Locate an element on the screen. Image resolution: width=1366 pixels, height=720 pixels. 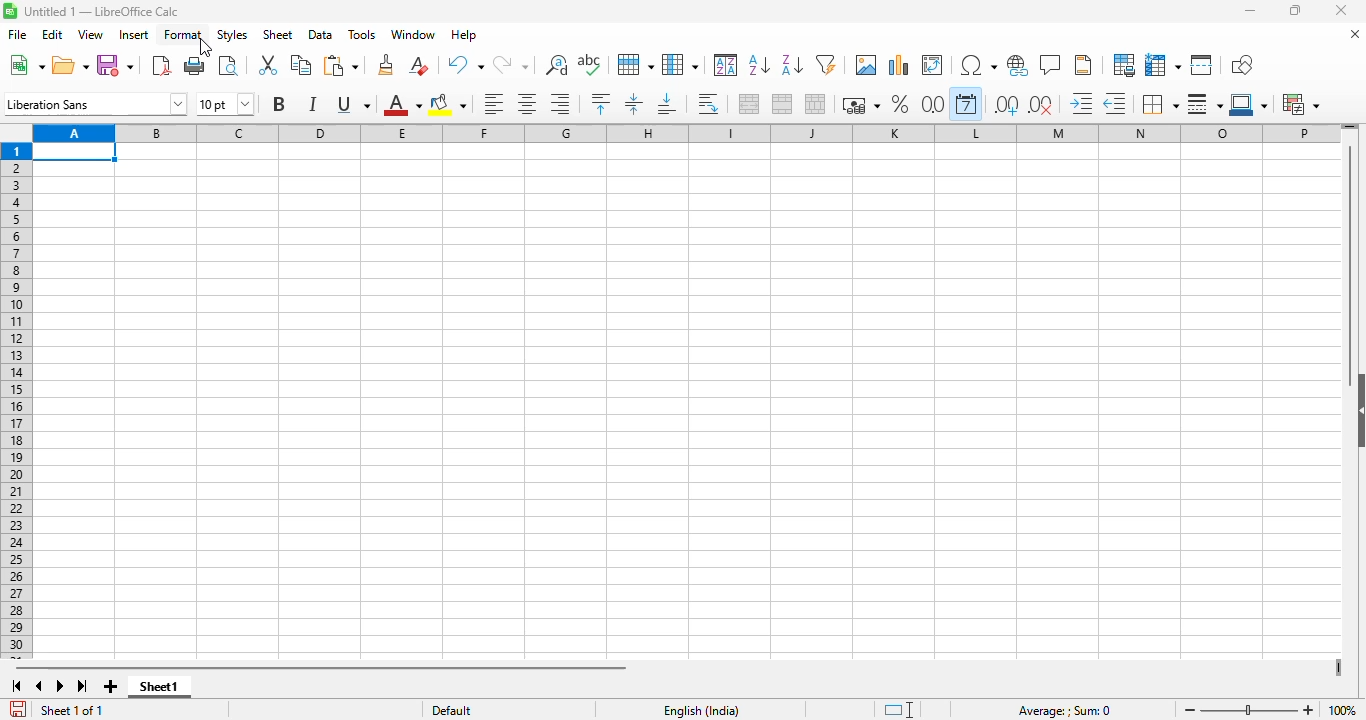
decrease indent is located at coordinates (1115, 104).